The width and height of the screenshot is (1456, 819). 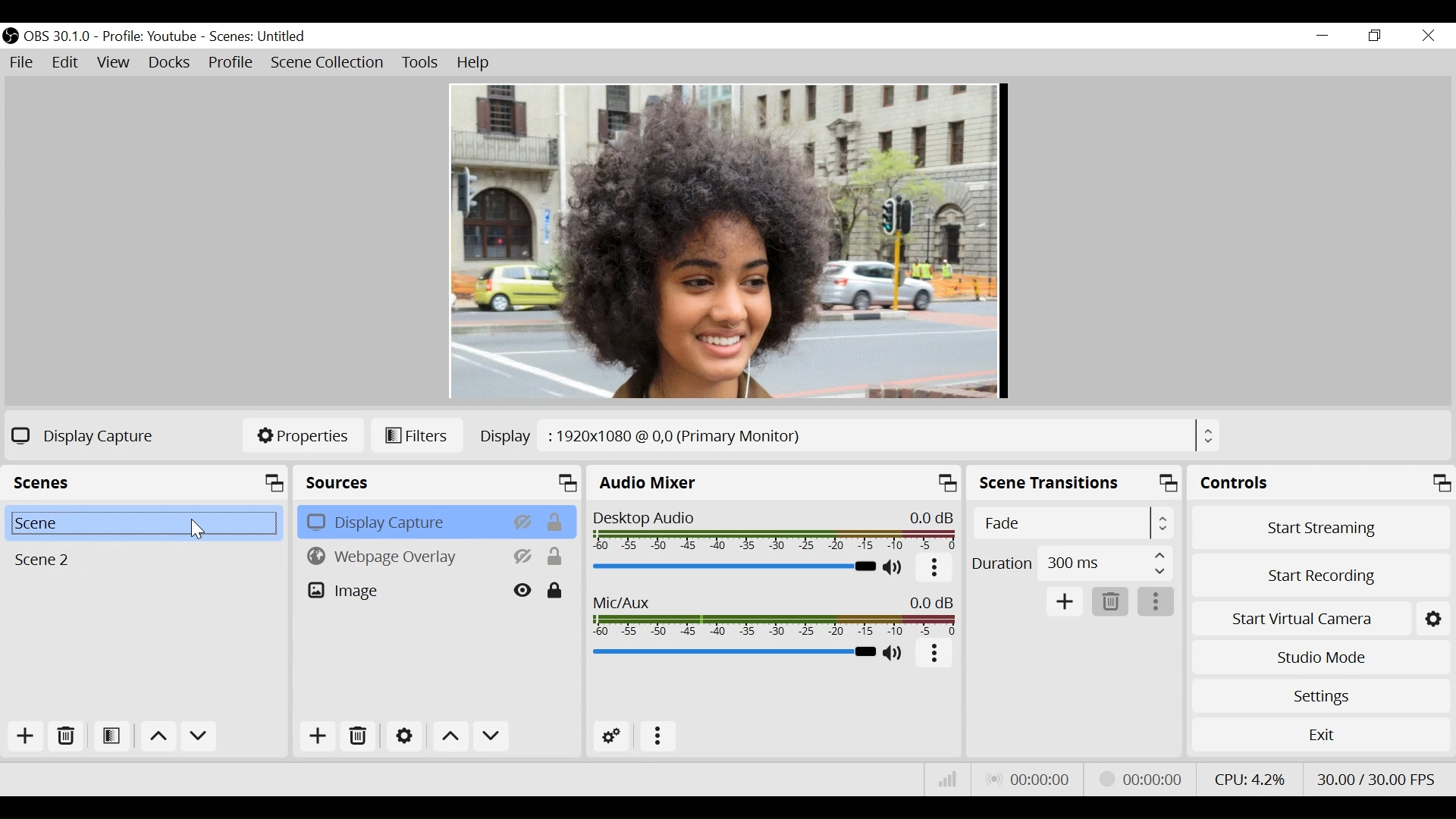 What do you see at coordinates (1375, 36) in the screenshot?
I see `Restore` at bounding box center [1375, 36].